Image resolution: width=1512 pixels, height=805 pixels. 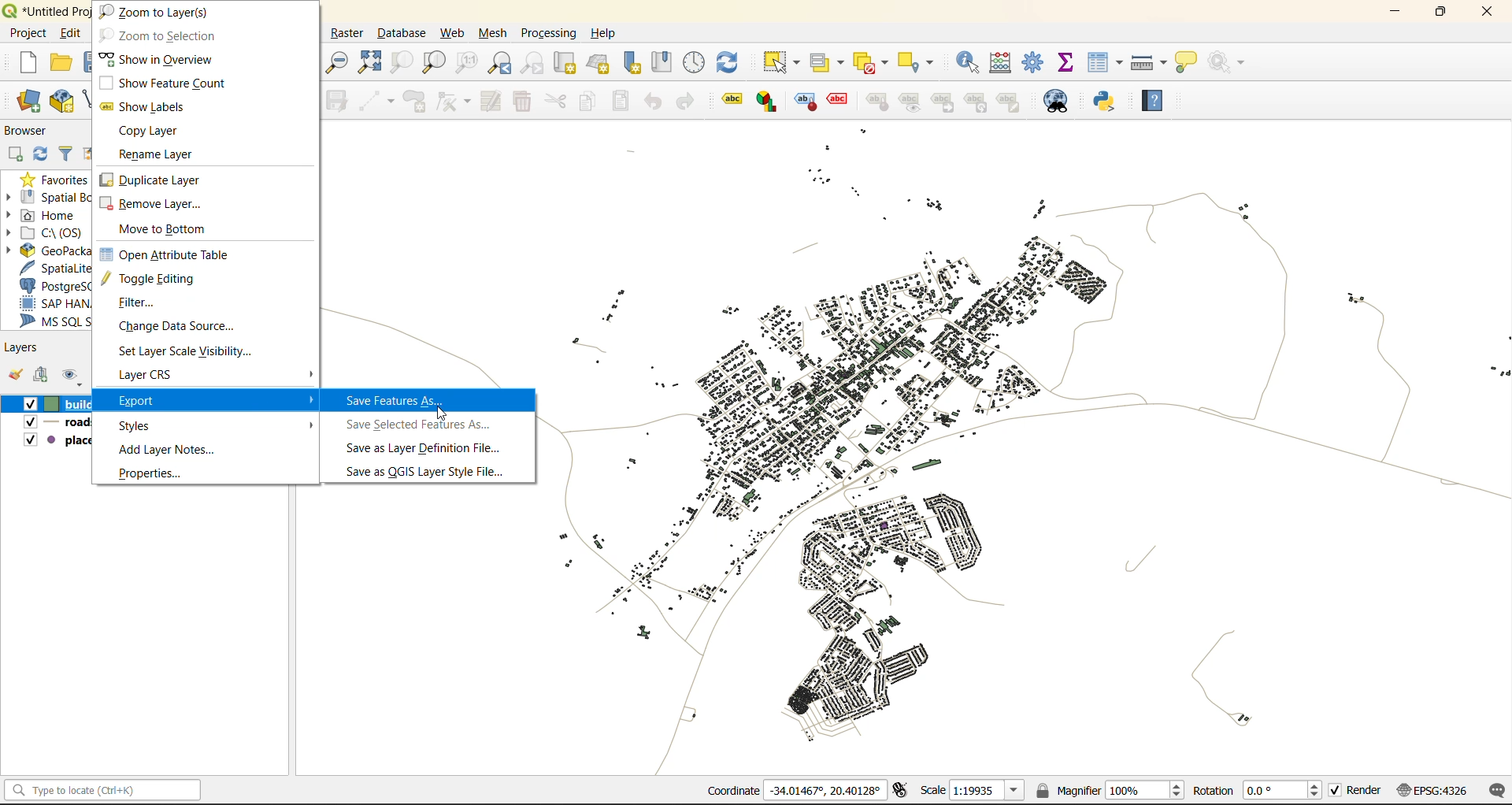 I want to click on attributes table, so click(x=1105, y=64).